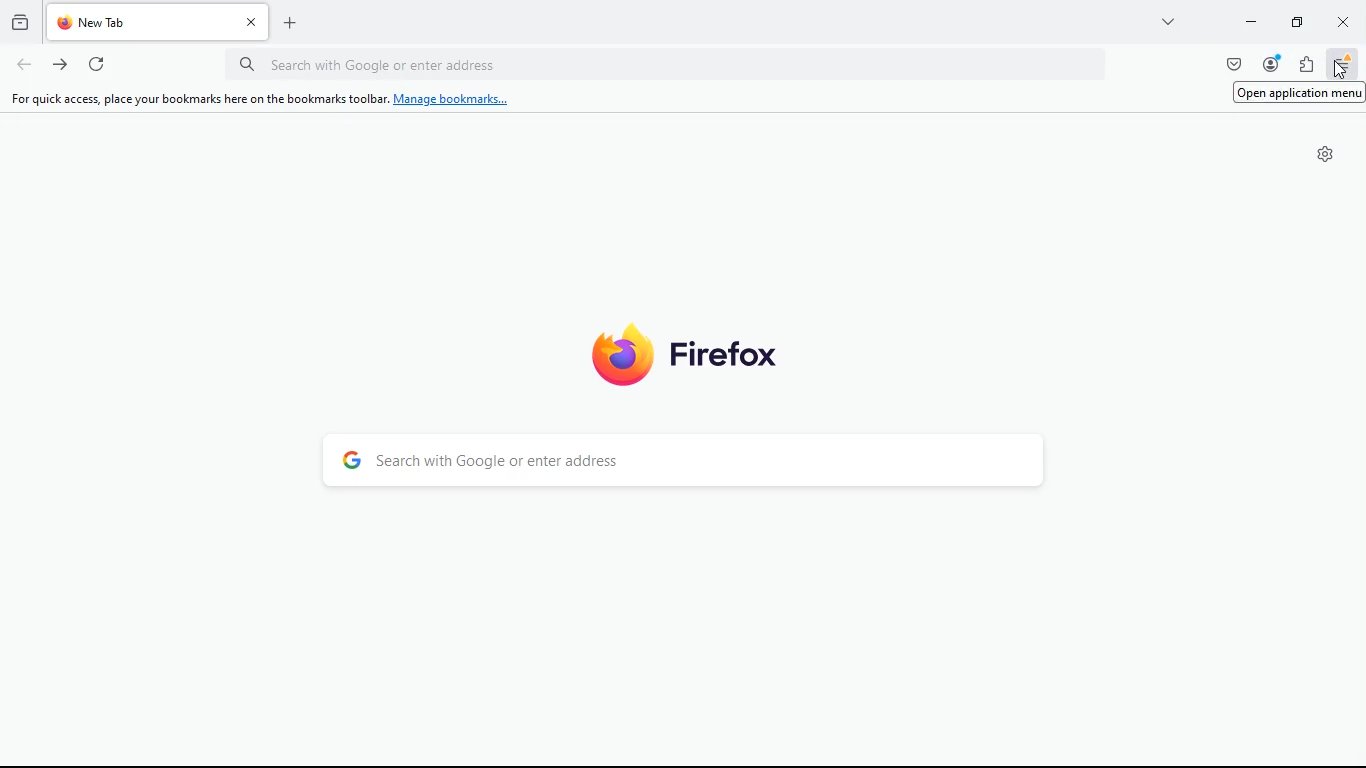 The width and height of the screenshot is (1366, 768). I want to click on pocket, so click(1235, 65).